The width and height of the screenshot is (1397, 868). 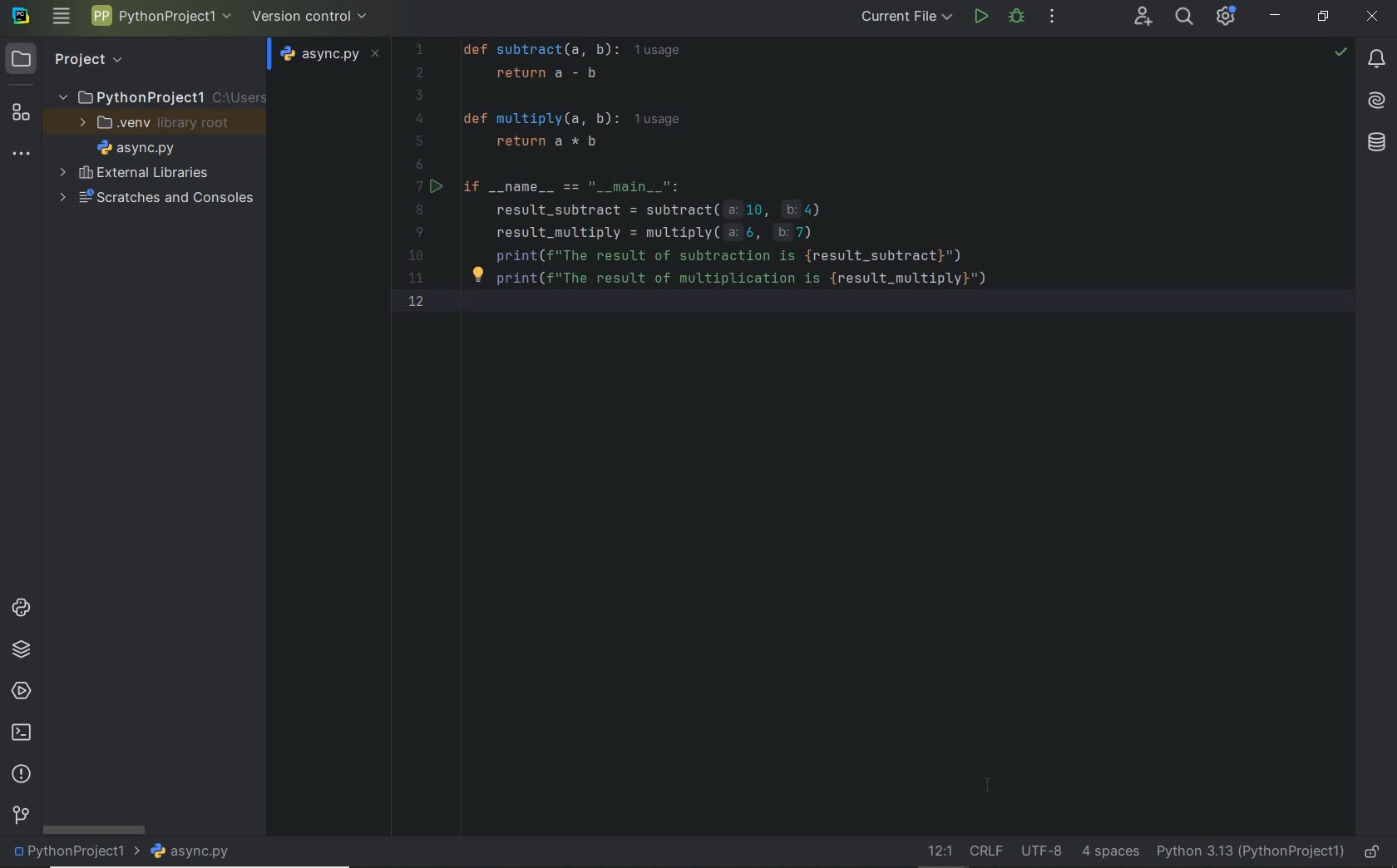 What do you see at coordinates (1374, 15) in the screenshot?
I see `close` at bounding box center [1374, 15].